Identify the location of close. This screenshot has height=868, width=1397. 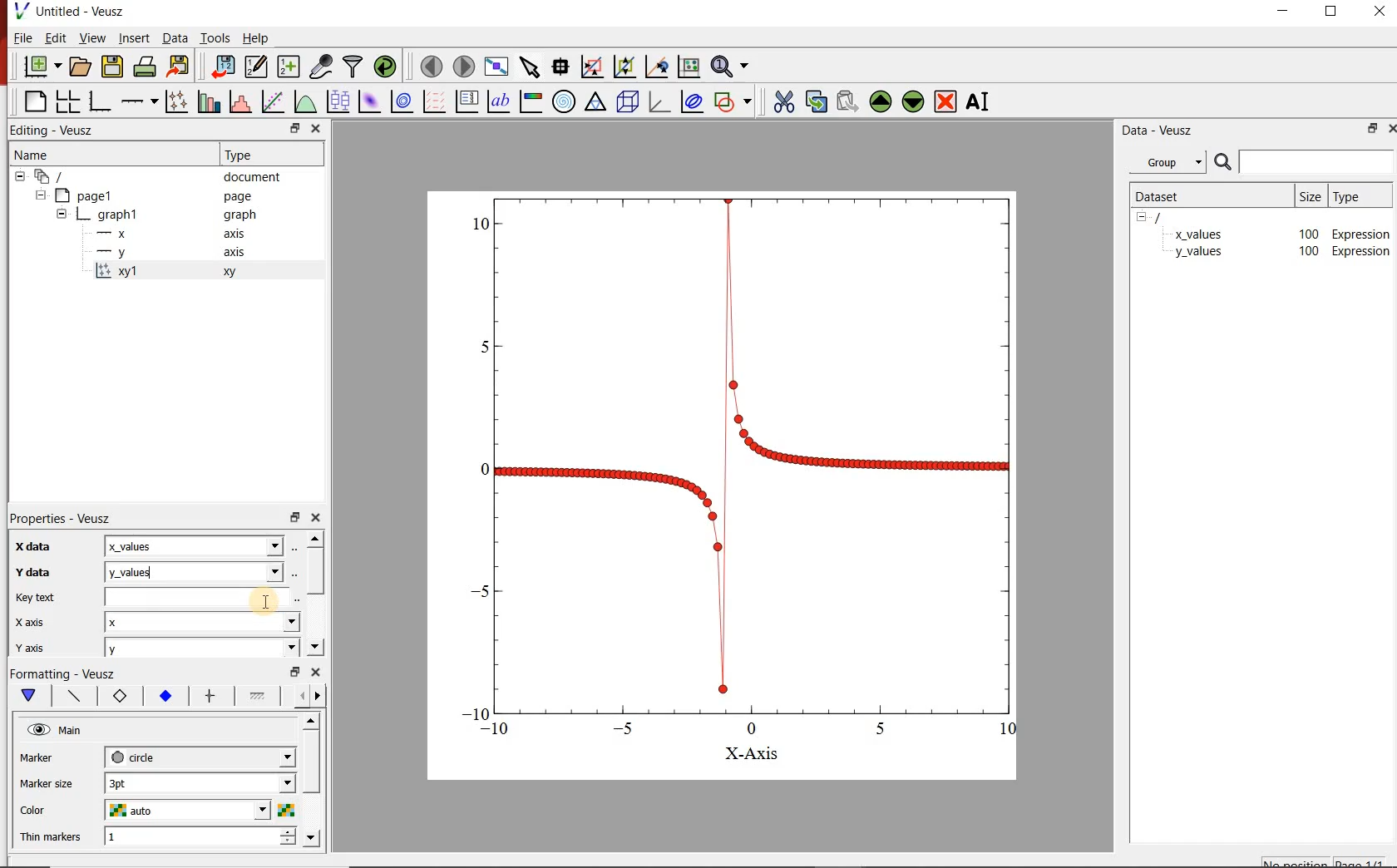
(1382, 13).